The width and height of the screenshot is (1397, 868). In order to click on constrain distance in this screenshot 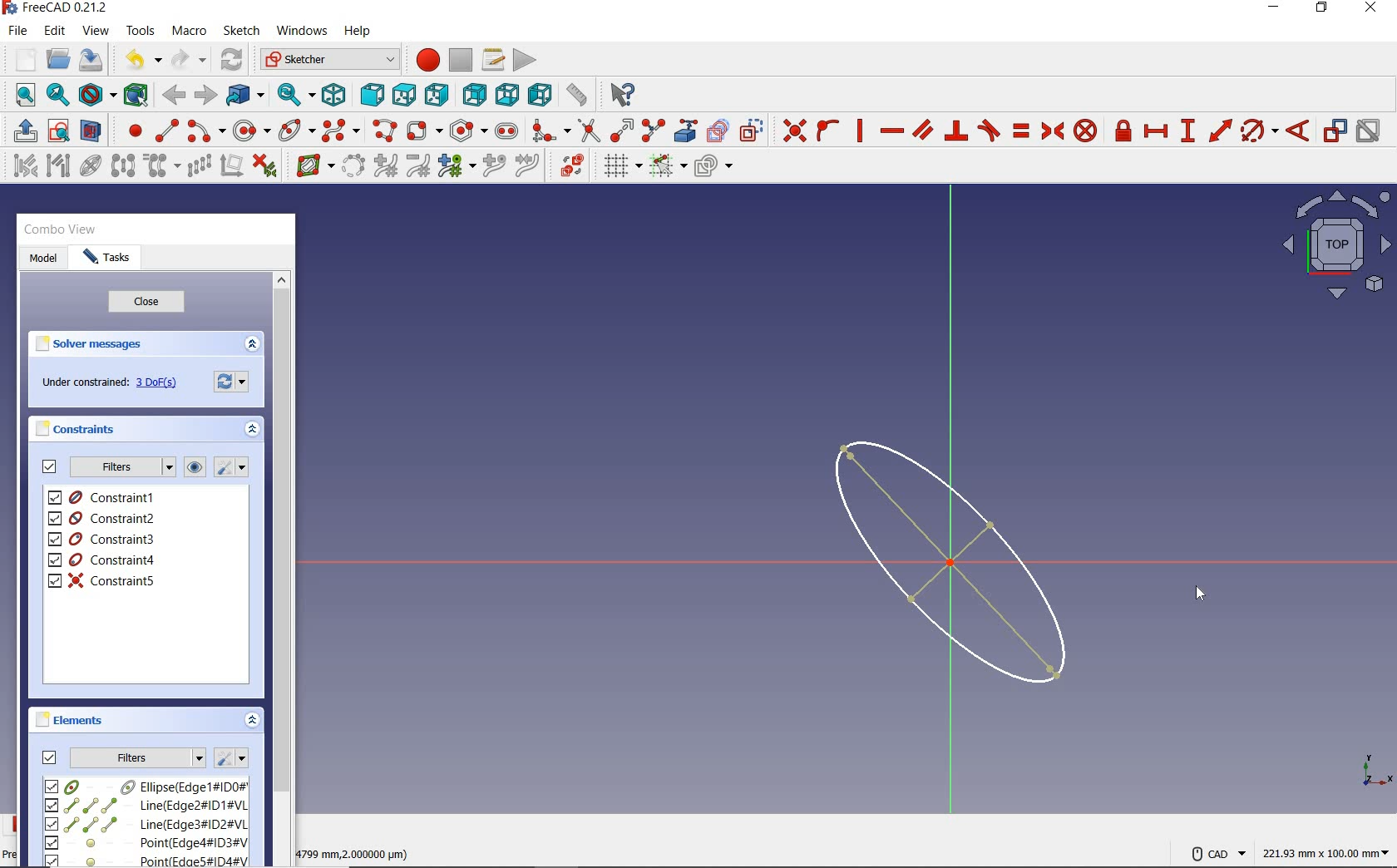, I will do `click(1221, 129)`.